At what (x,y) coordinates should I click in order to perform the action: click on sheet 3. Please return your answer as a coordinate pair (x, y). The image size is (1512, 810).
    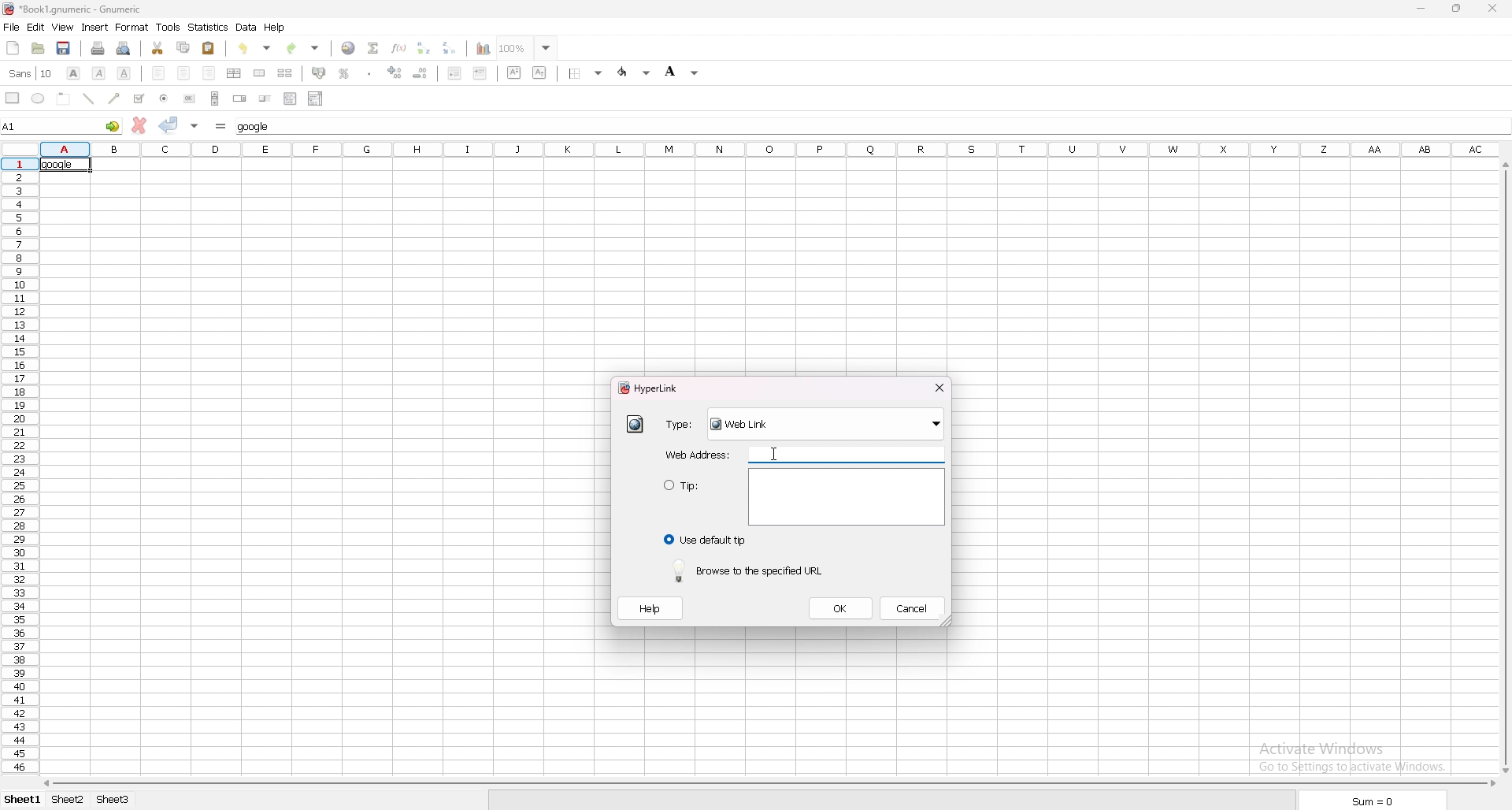
    Looking at the image, I should click on (124, 801).